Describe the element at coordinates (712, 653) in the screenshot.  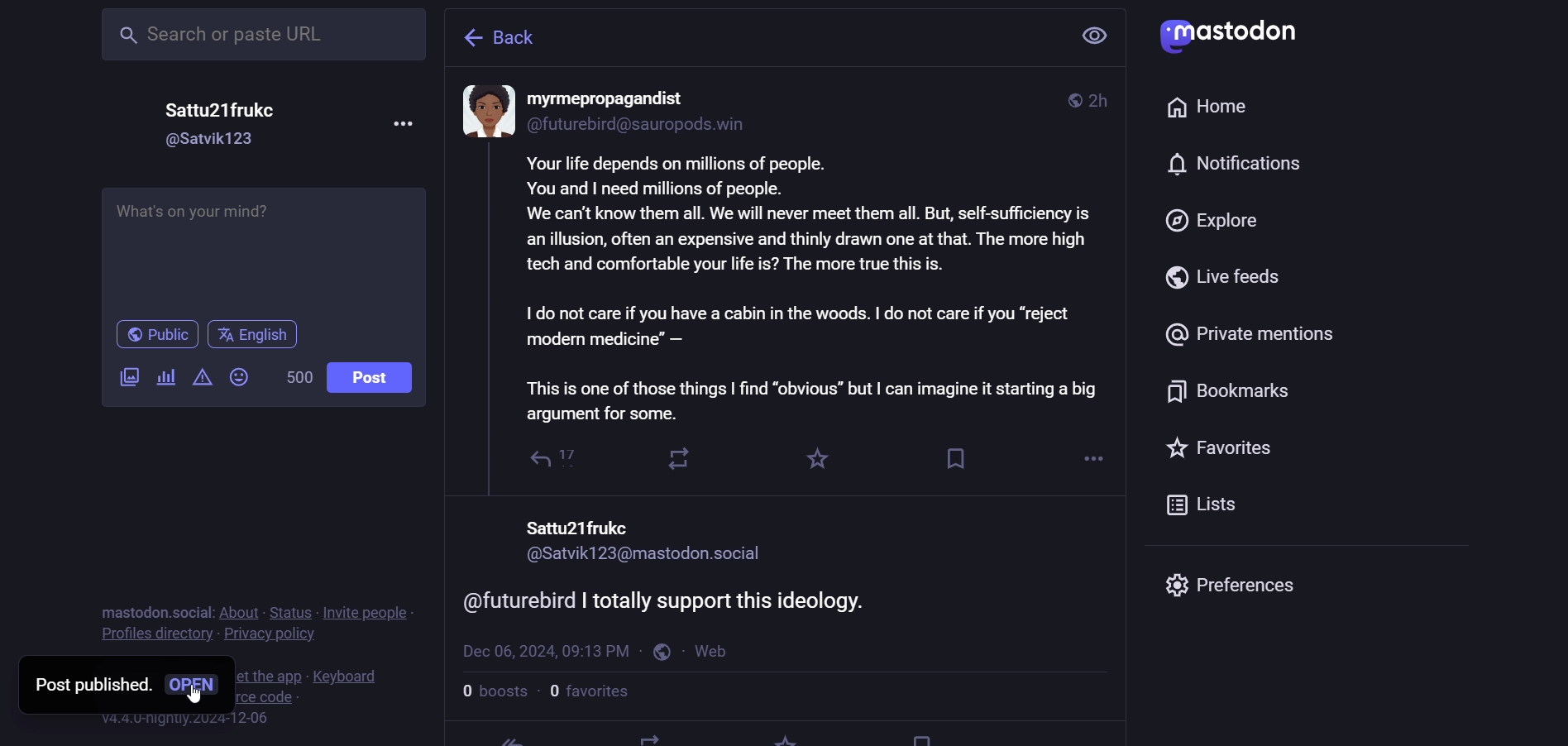
I see `web` at that location.